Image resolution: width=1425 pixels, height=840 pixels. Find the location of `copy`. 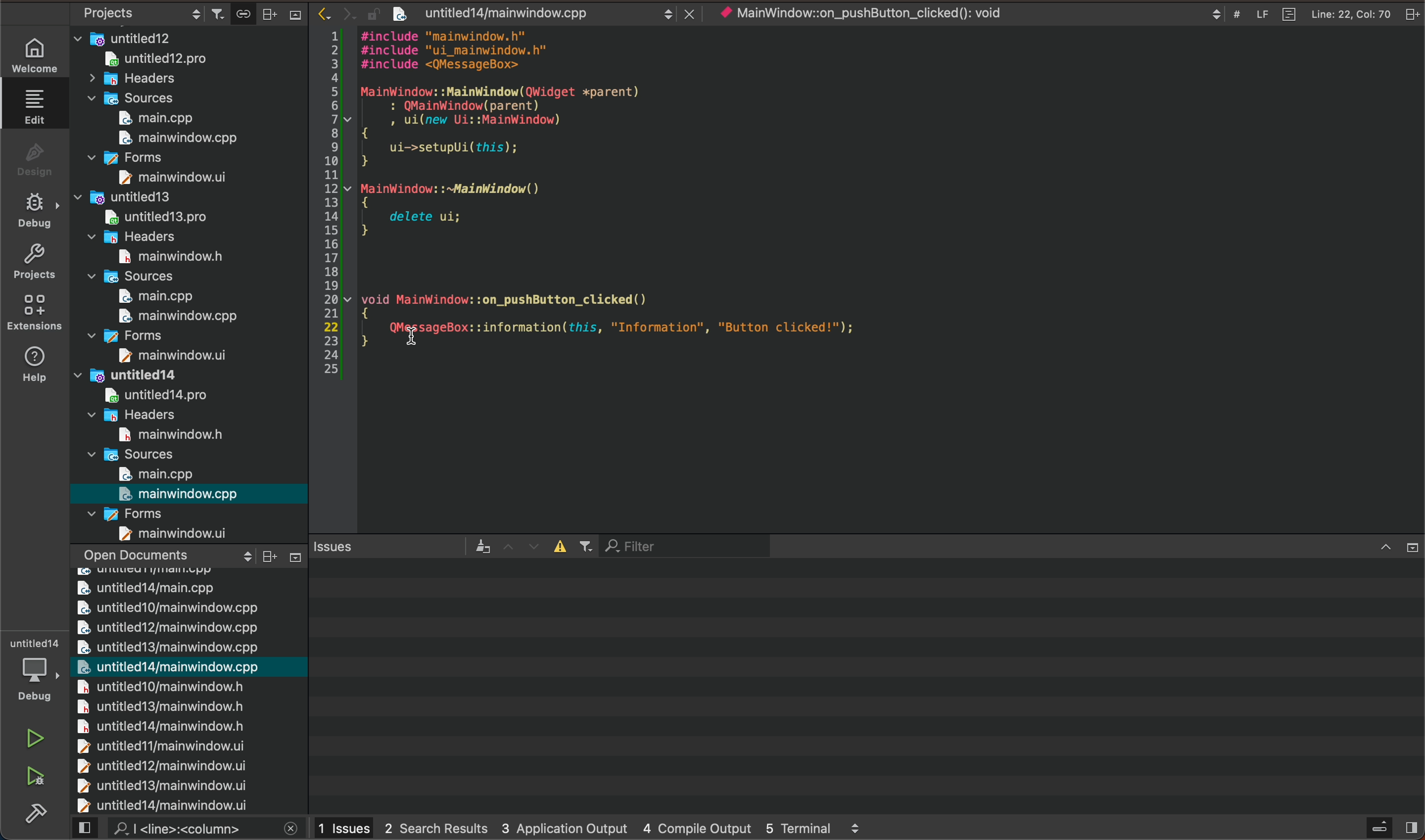

copy is located at coordinates (241, 12).